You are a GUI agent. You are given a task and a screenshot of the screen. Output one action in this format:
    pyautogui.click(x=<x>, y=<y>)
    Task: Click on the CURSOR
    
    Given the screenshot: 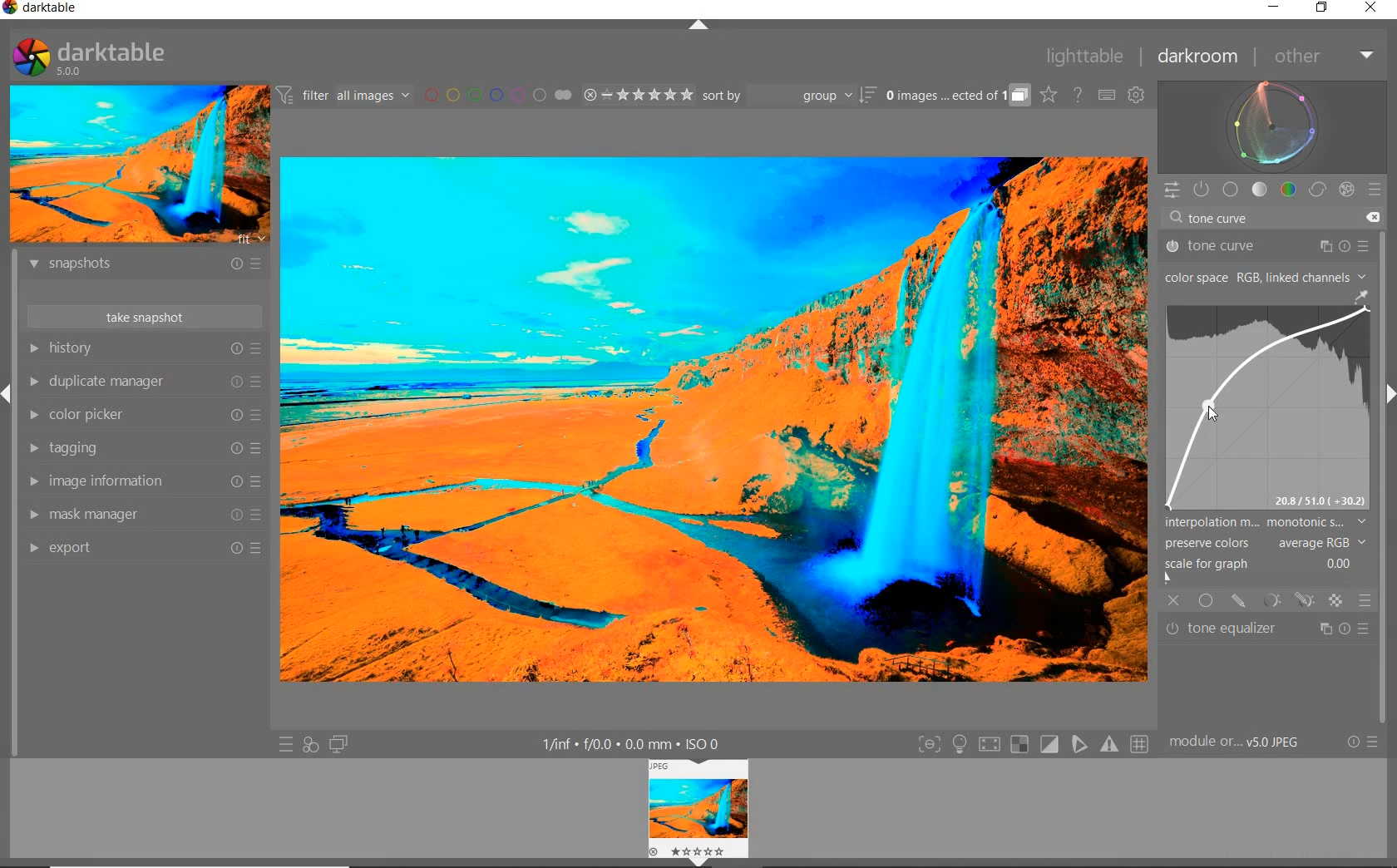 What is the action you would take?
    pyautogui.click(x=1209, y=408)
    